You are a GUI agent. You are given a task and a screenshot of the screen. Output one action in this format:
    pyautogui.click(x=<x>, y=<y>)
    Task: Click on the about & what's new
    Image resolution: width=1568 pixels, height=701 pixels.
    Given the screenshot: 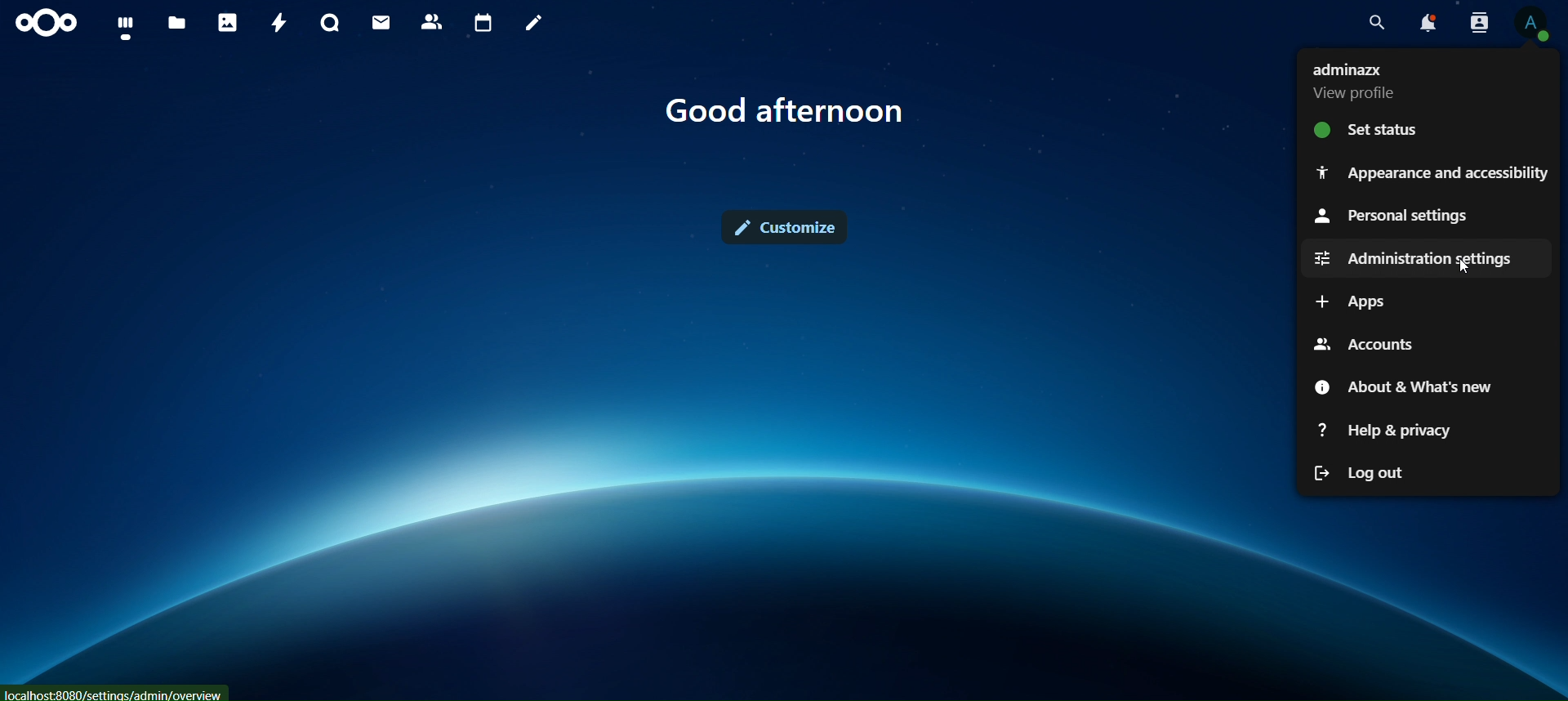 What is the action you would take?
    pyautogui.click(x=1414, y=386)
    